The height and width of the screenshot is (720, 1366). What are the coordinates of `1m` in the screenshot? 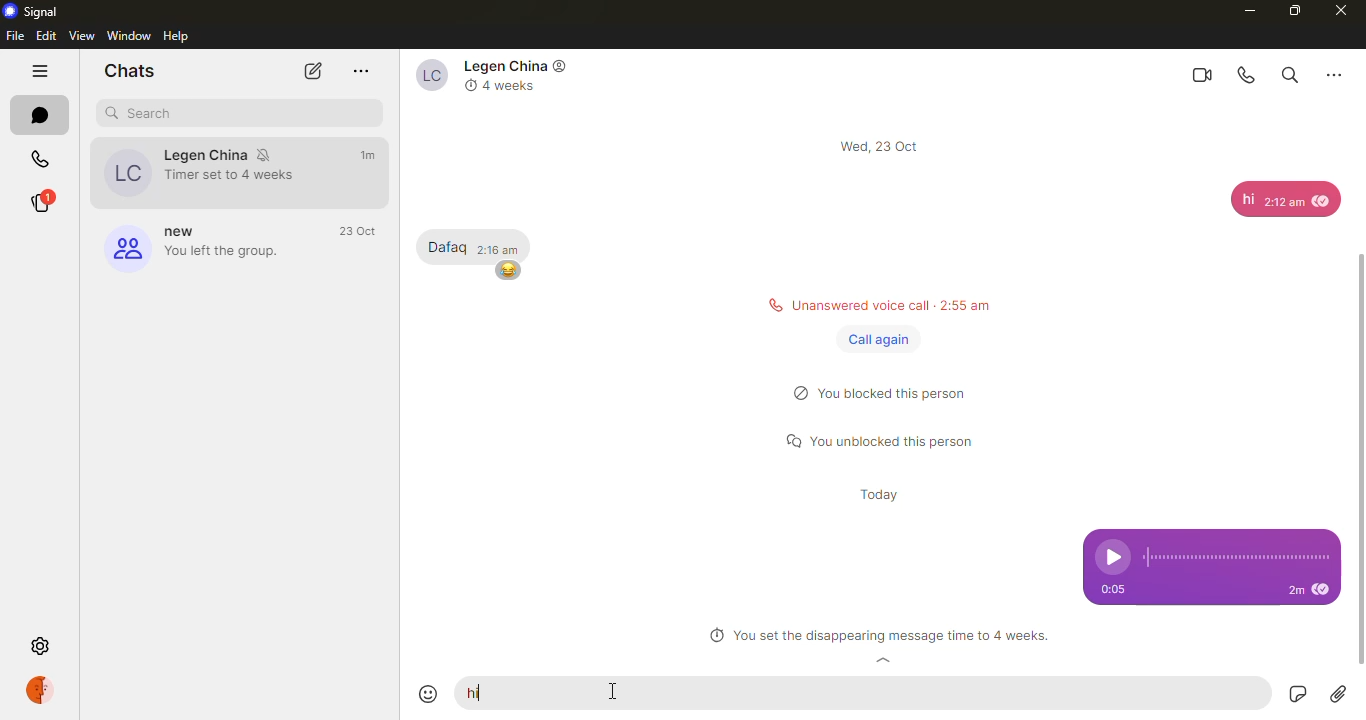 It's located at (370, 155).